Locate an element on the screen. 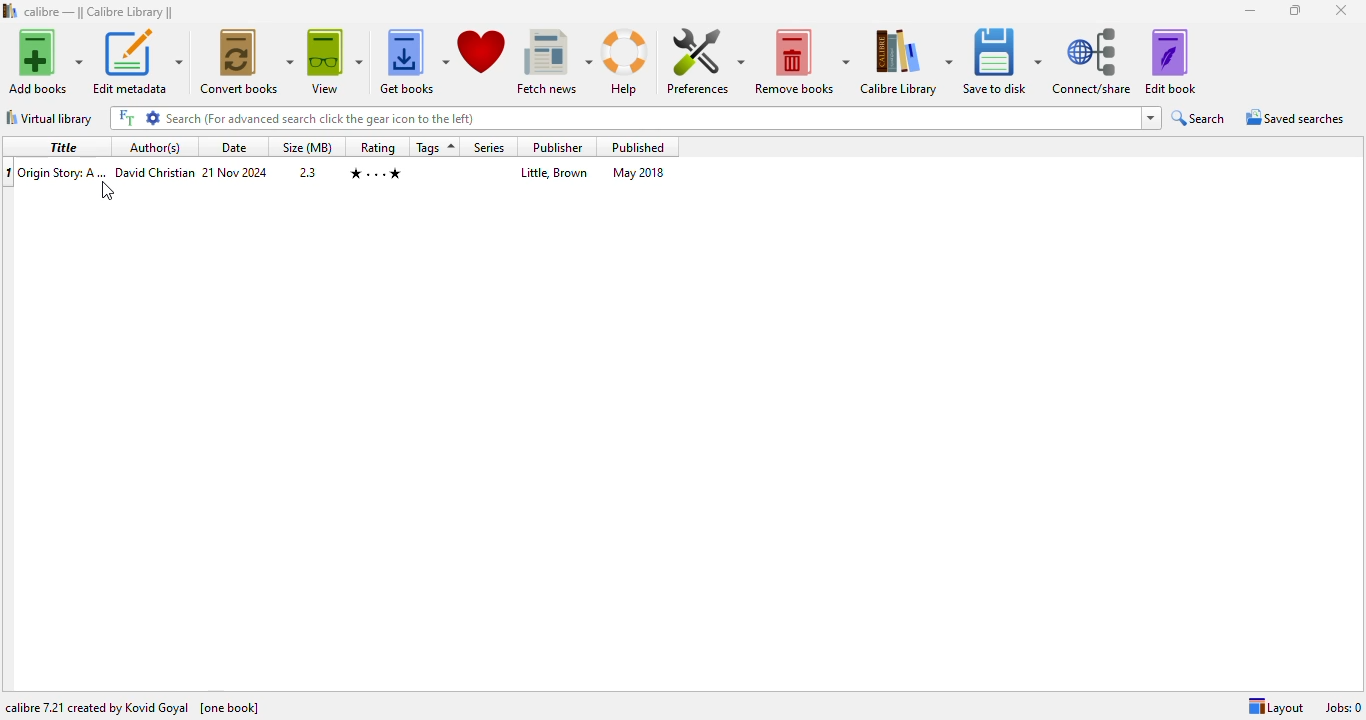 This screenshot has width=1366, height=720. view is located at coordinates (335, 62).